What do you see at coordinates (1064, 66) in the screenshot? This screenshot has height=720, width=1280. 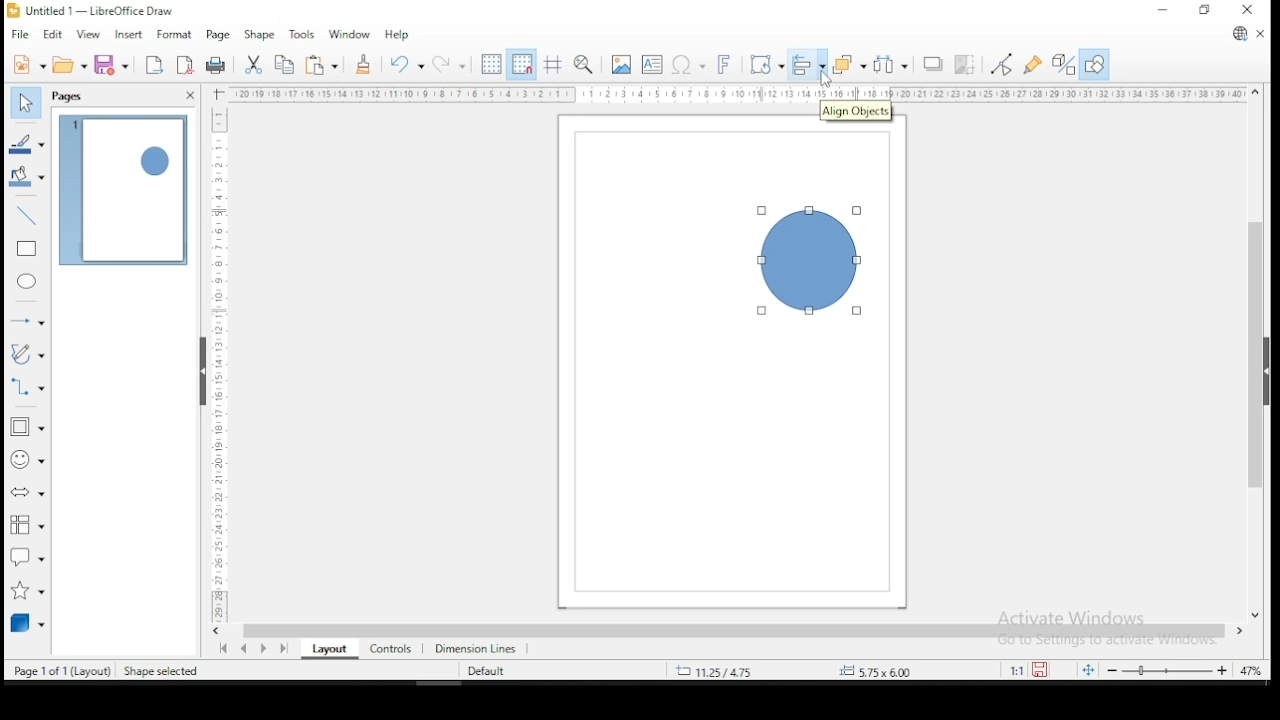 I see `toggle extrusions` at bounding box center [1064, 66].